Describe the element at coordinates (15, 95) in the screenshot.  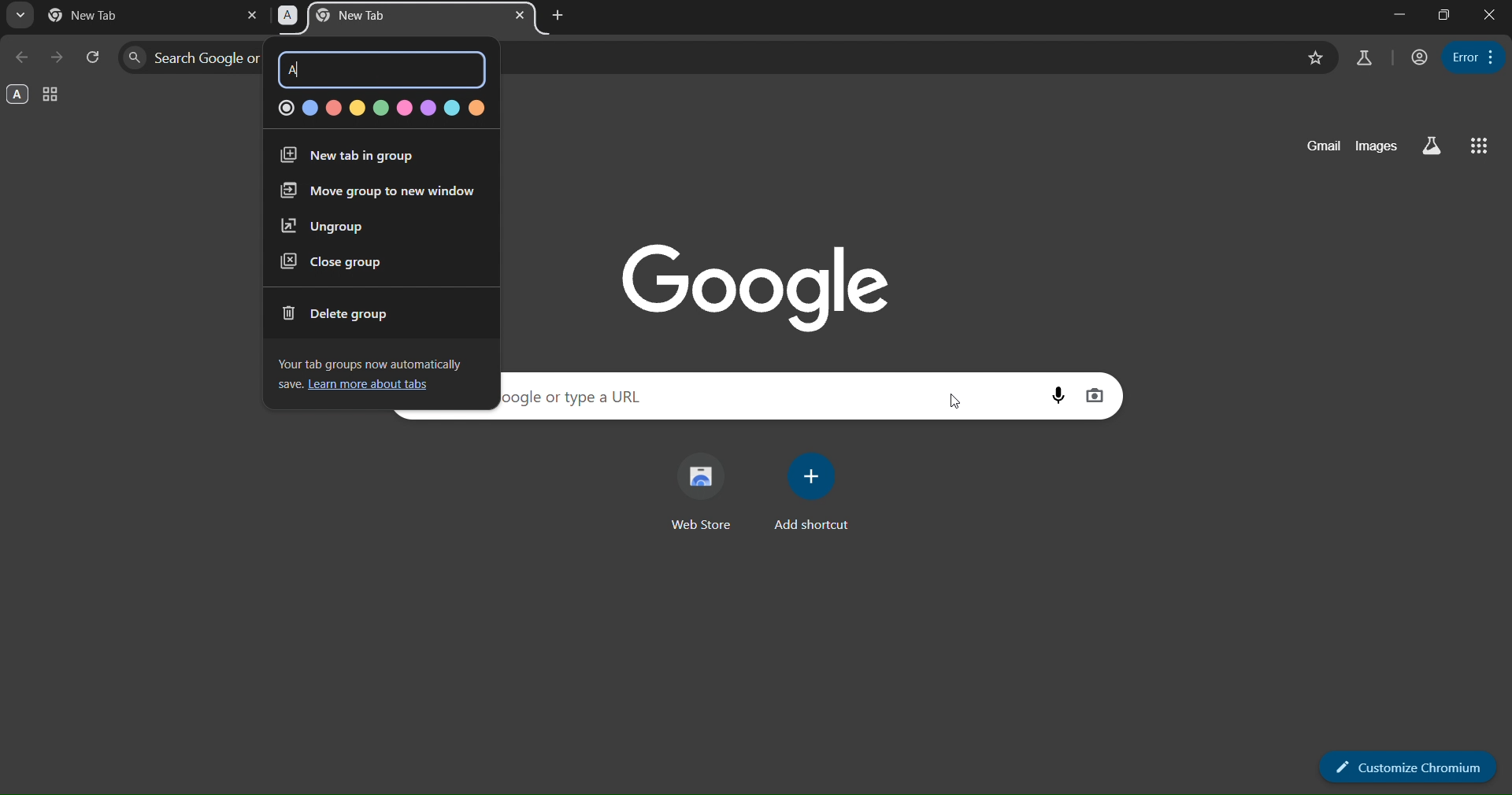
I see `A group - opened` at that location.